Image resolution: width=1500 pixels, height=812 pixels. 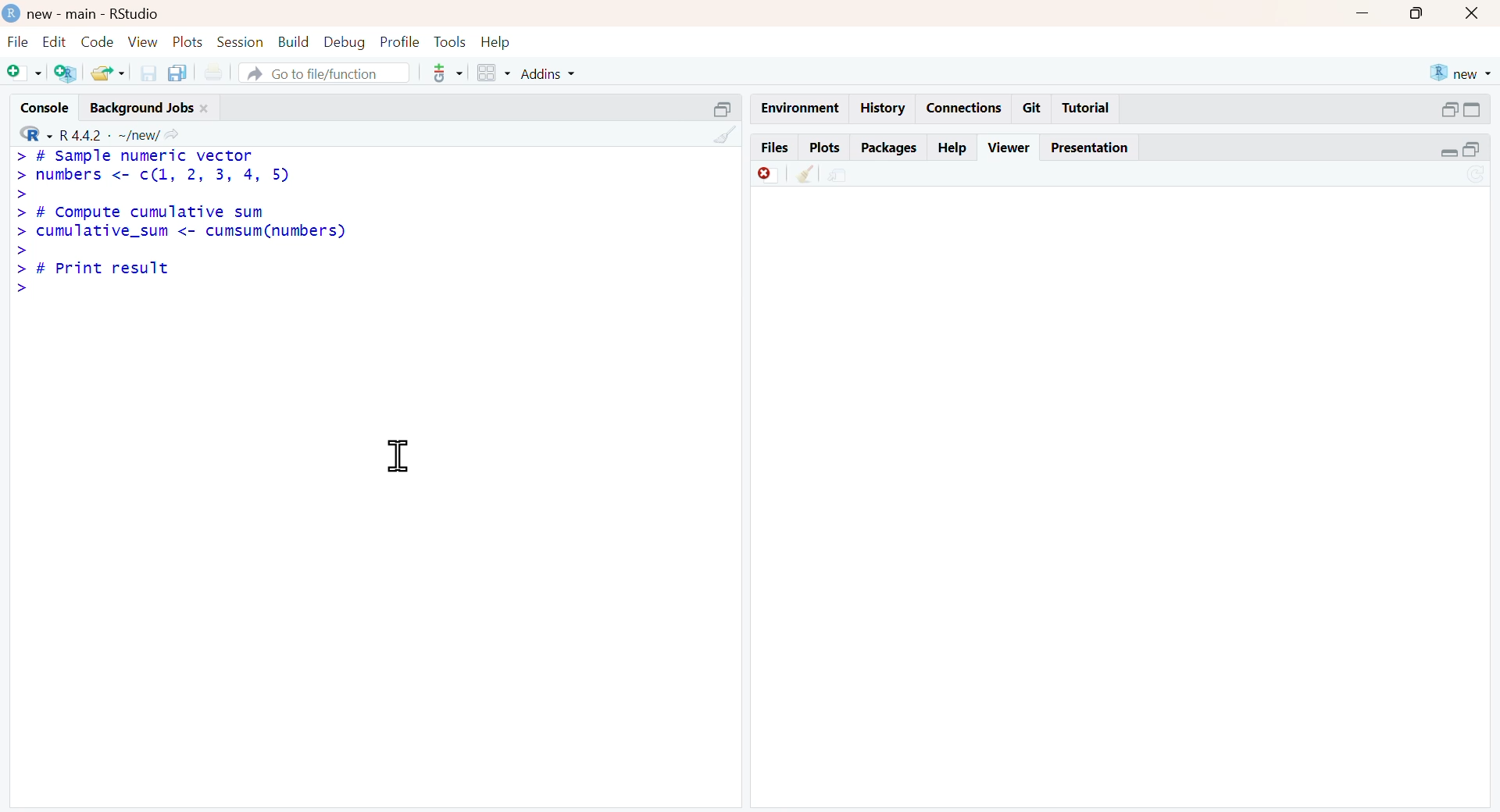 What do you see at coordinates (20, 41) in the screenshot?
I see `file` at bounding box center [20, 41].